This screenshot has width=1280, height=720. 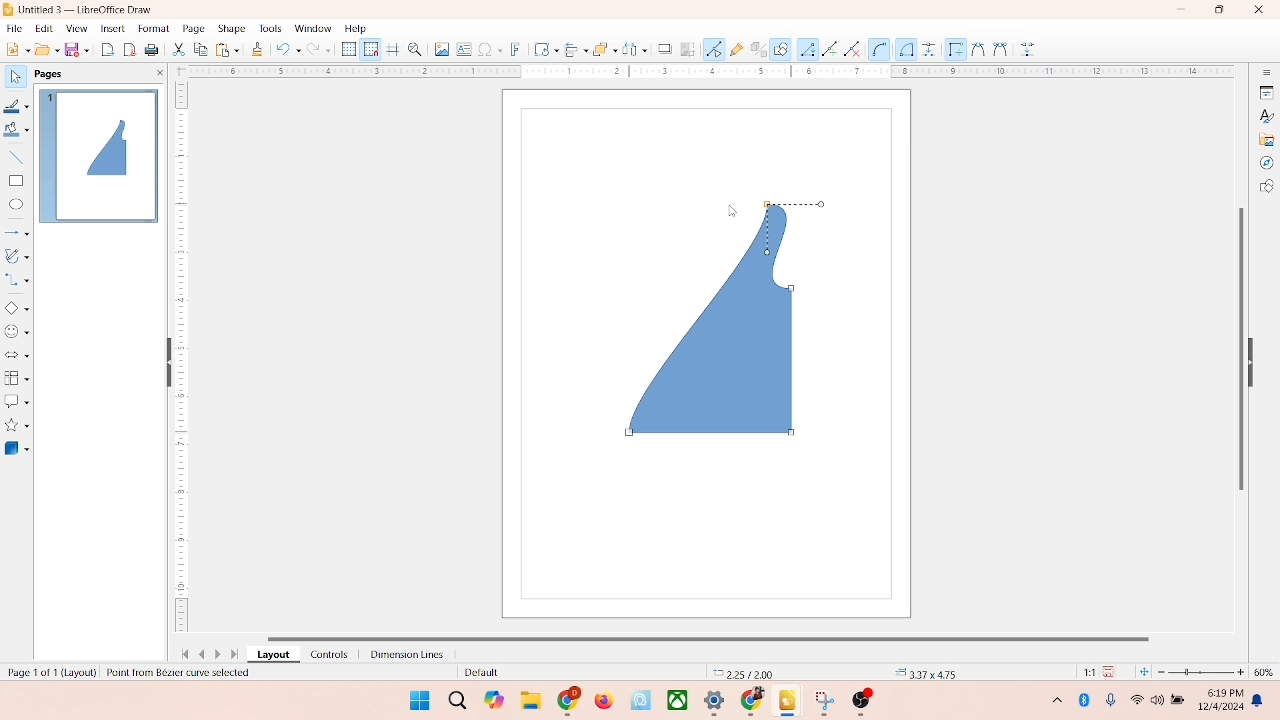 I want to click on previous page, so click(x=202, y=654).